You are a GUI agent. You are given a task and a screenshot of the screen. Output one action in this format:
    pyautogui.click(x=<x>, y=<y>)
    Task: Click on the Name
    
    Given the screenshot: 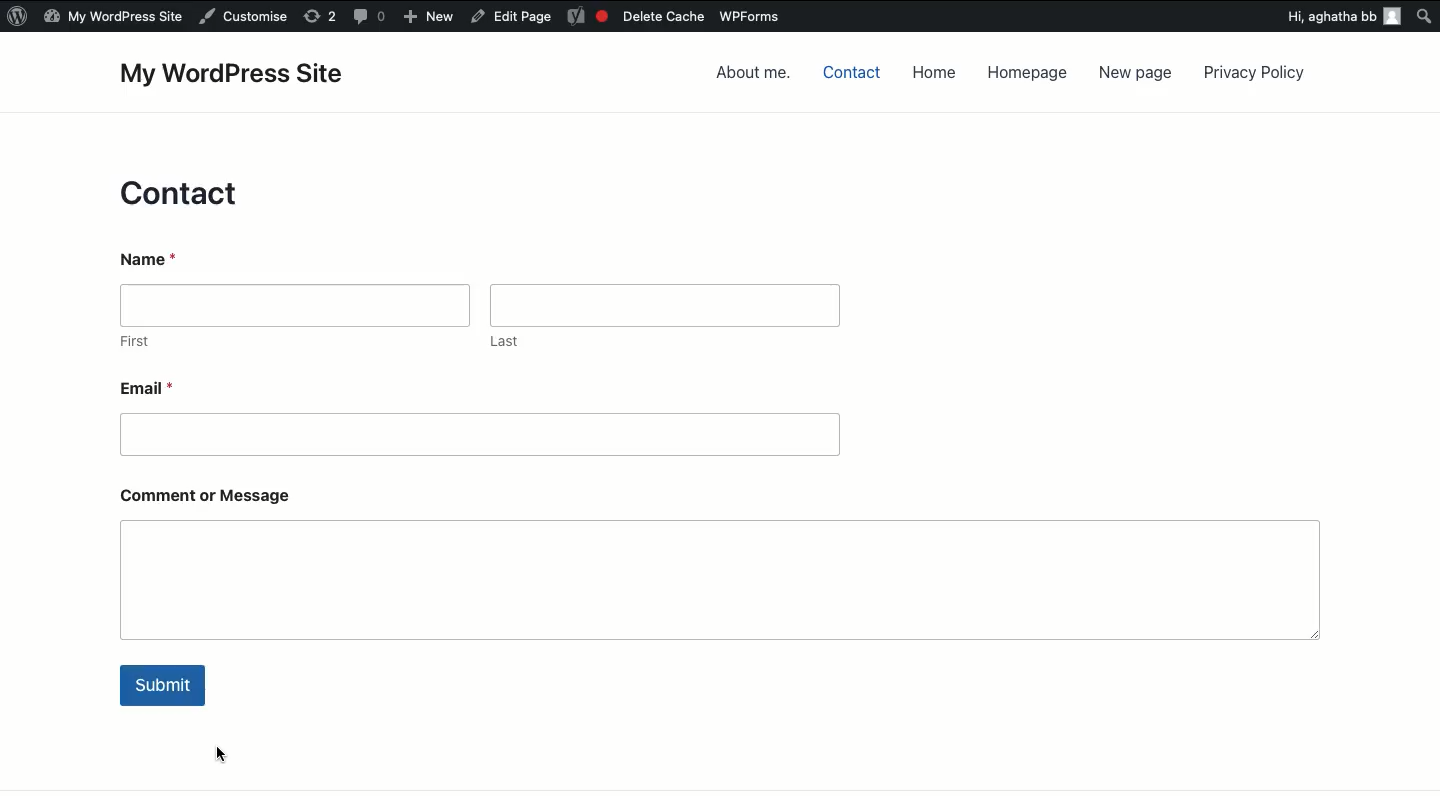 What is the action you would take?
    pyautogui.click(x=154, y=255)
    